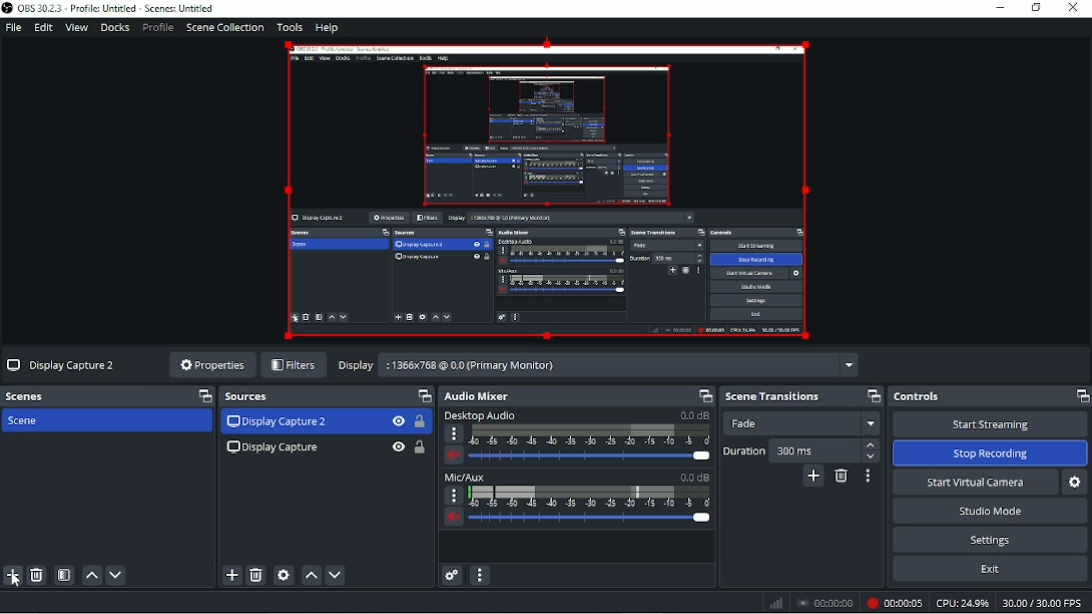 Image resolution: width=1092 pixels, height=614 pixels. I want to click on Display Capture 2, so click(279, 422).